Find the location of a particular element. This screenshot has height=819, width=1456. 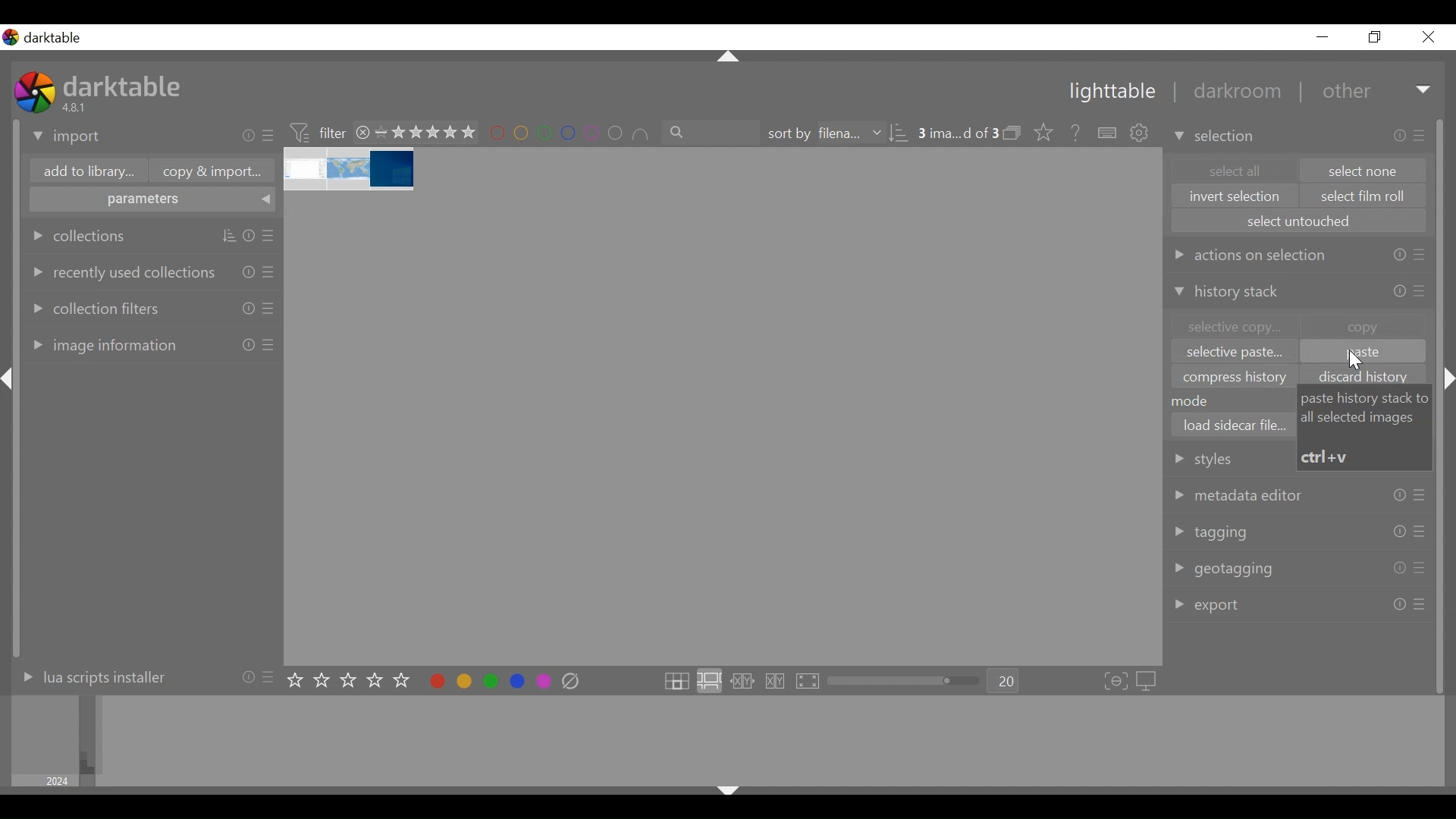

info is located at coordinates (249, 237).